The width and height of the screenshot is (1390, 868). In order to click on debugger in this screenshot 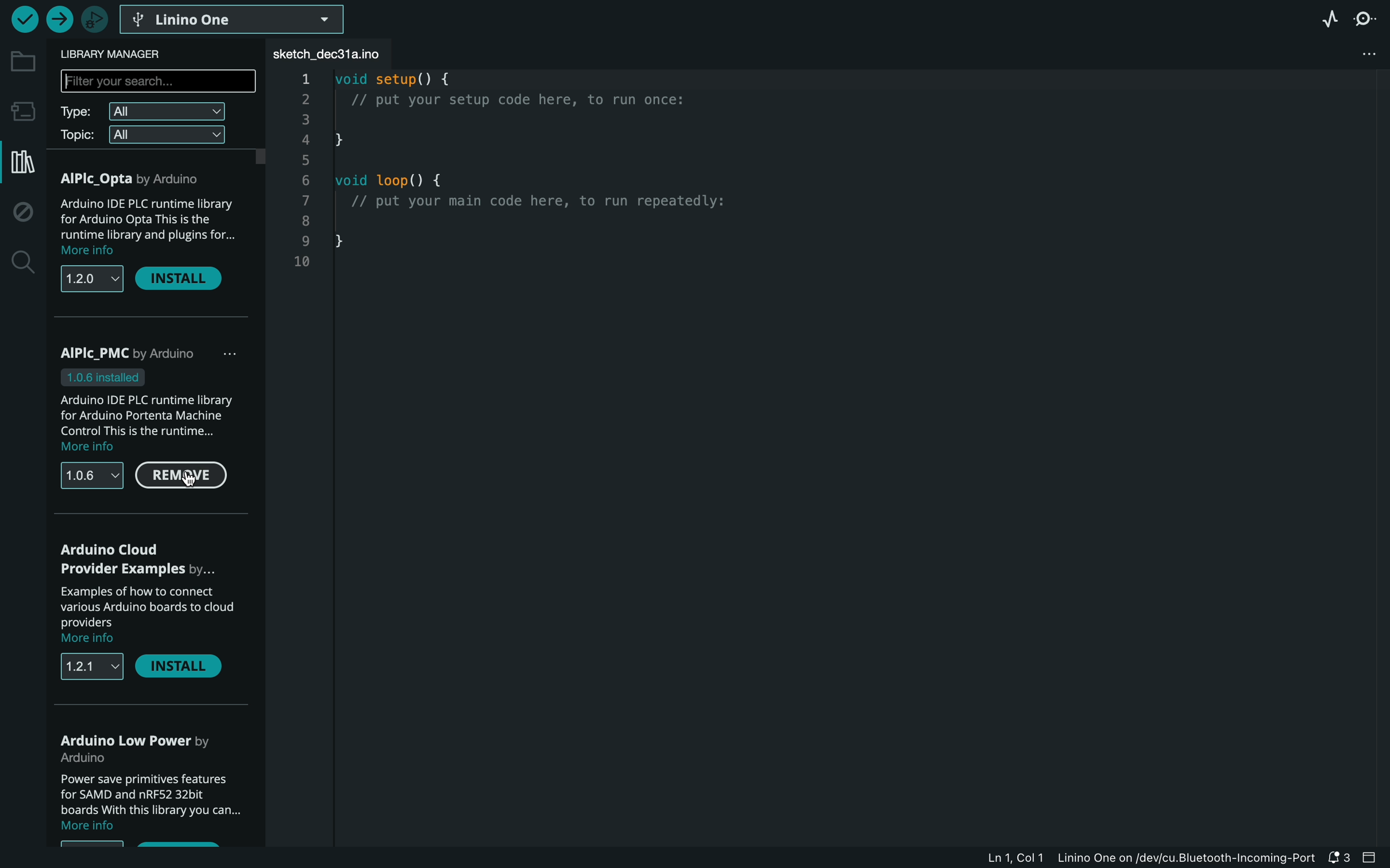, I will do `click(94, 21)`.